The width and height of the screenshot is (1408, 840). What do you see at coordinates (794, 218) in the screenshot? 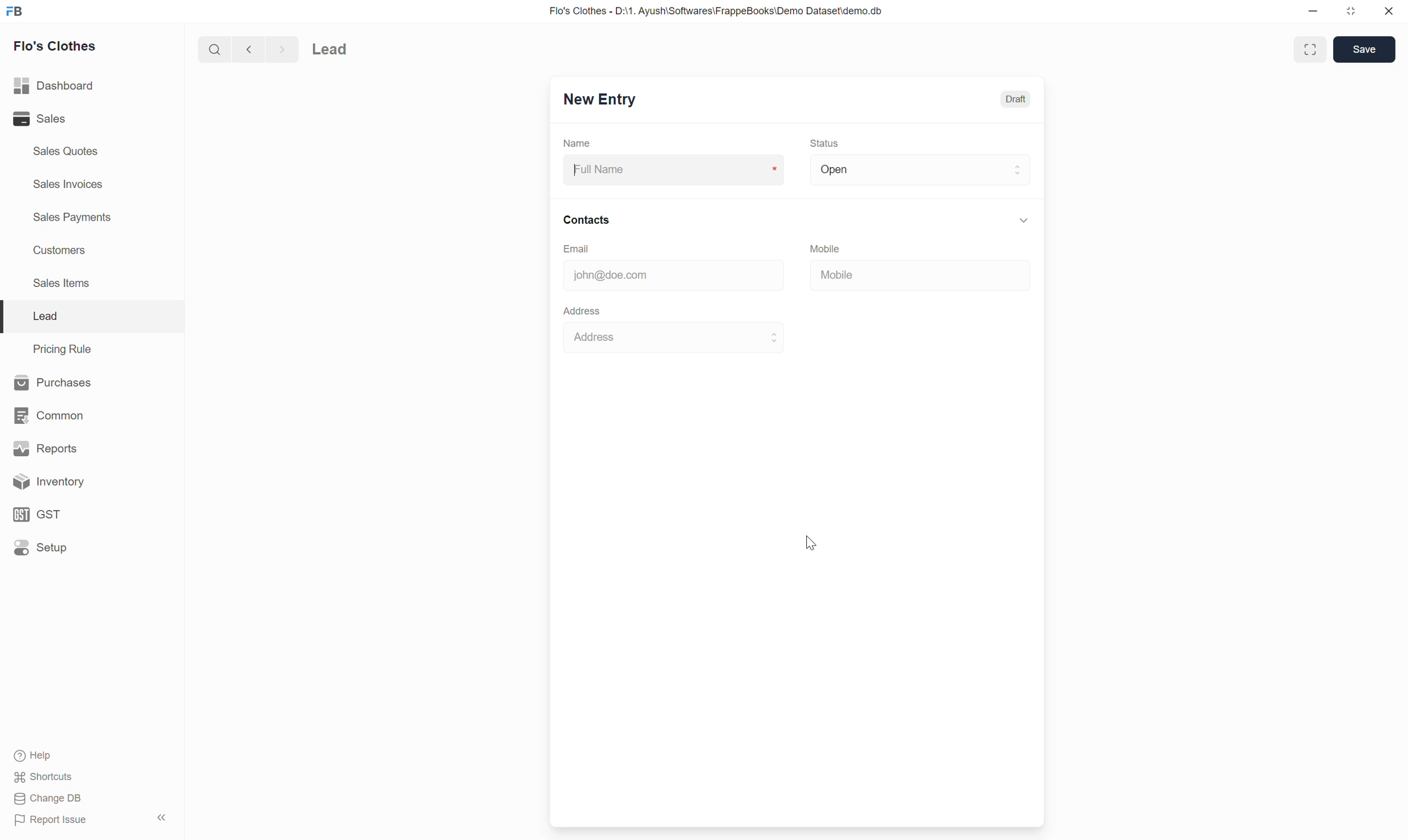
I see `Contacts` at bounding box center [794, 218].